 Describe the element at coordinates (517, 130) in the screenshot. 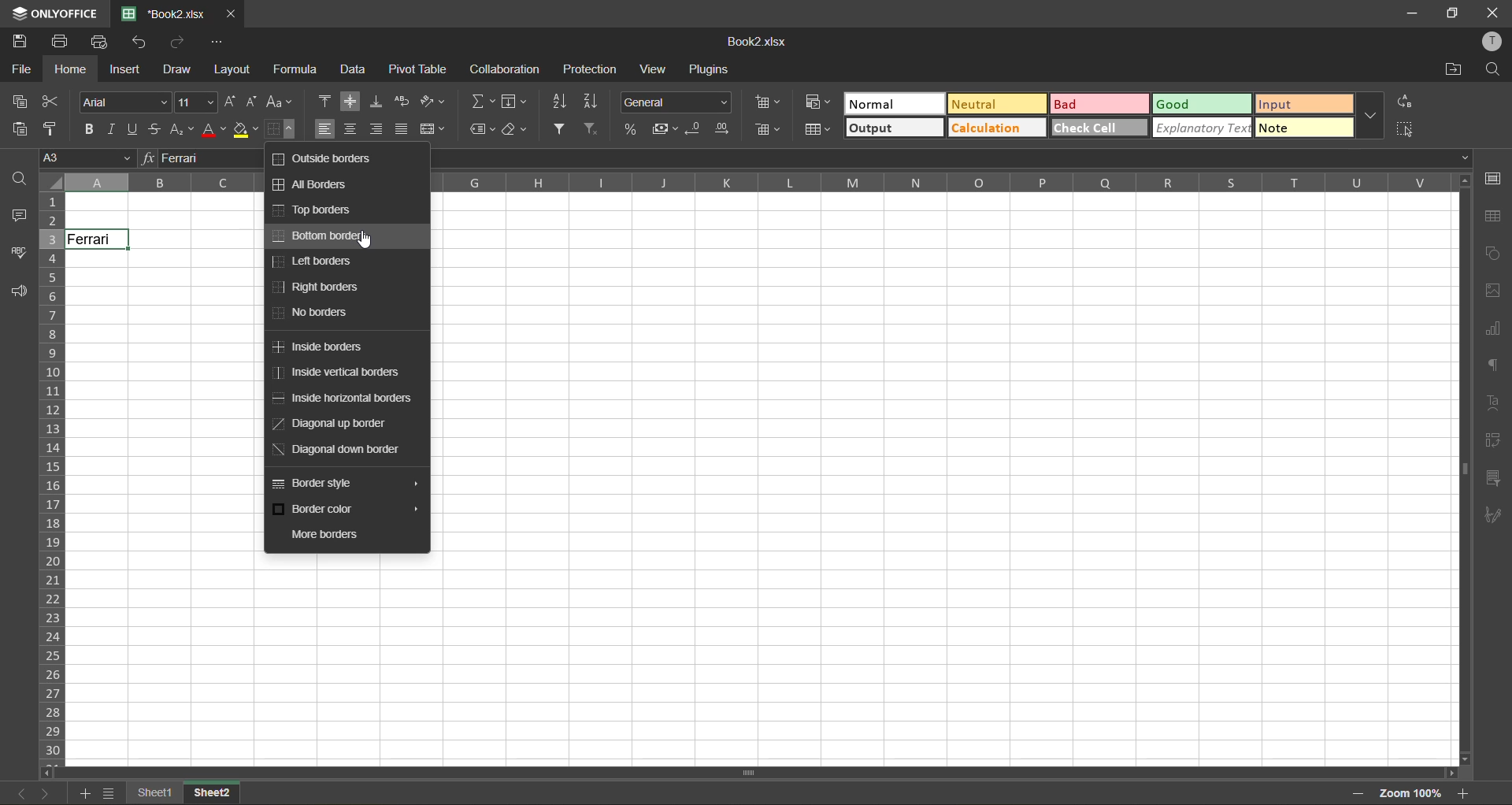

I see `clear` at that location.